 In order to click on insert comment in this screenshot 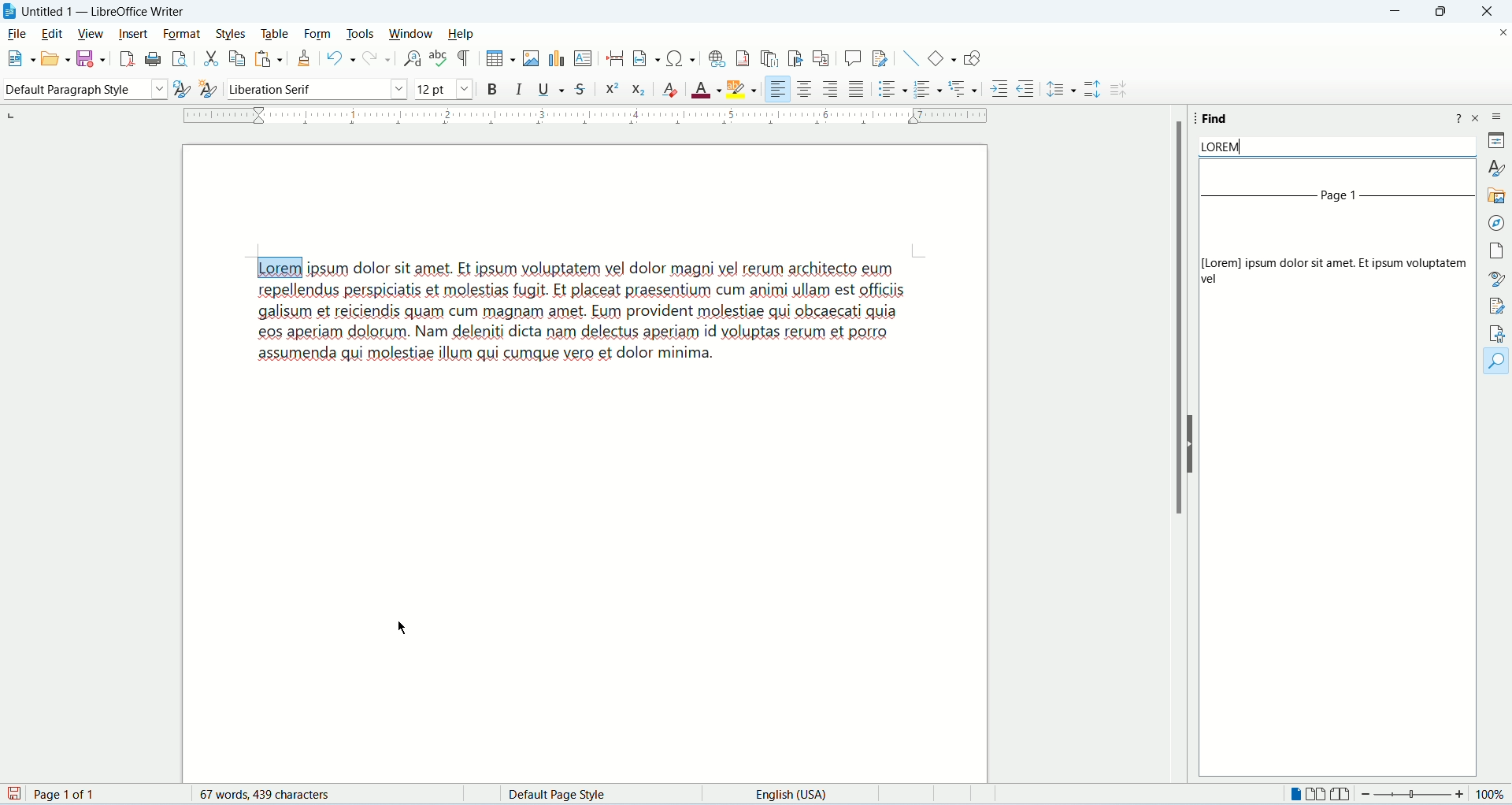, I will do `click(853, 57)`.